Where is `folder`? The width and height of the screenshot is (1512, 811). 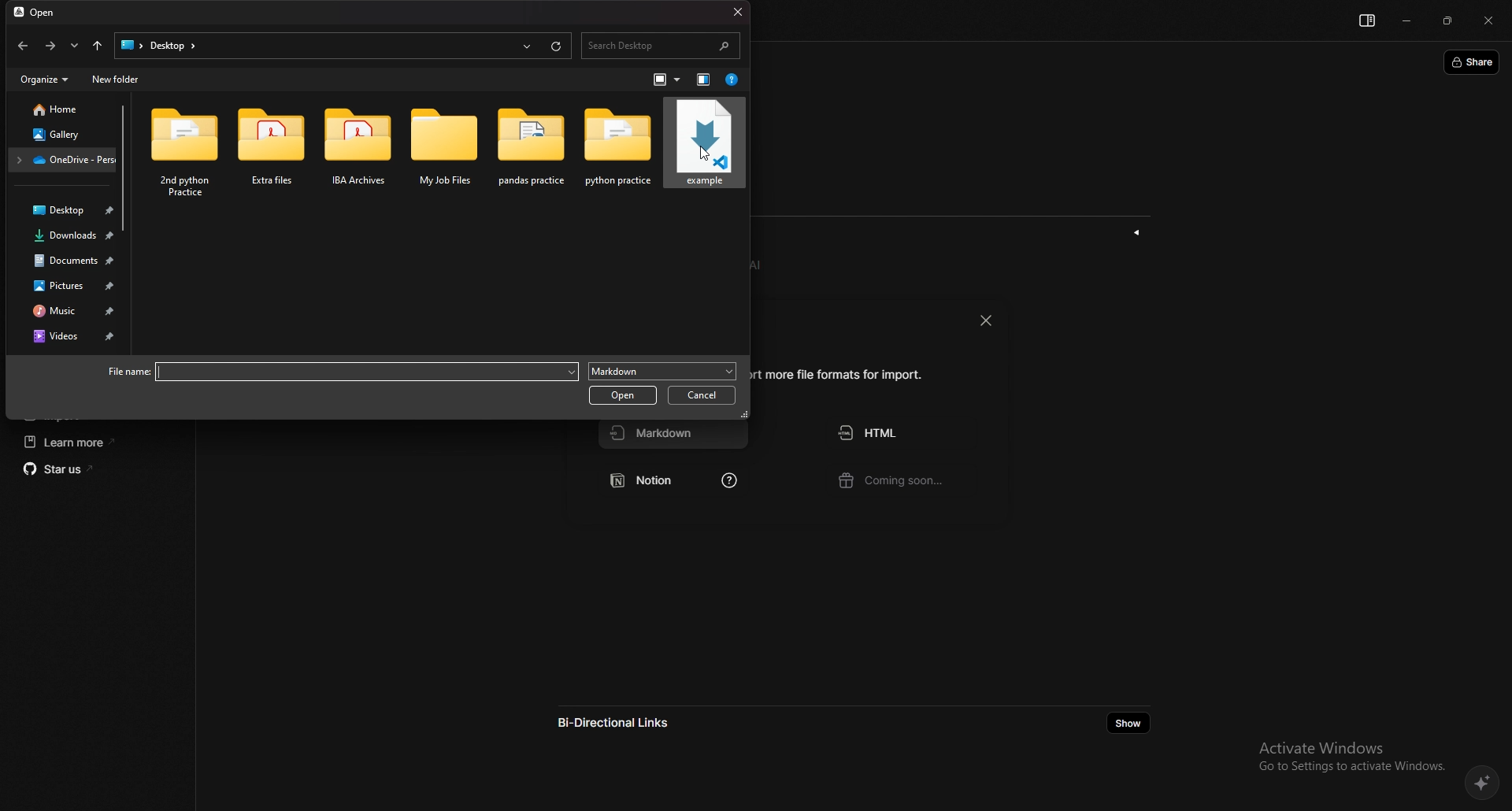
folder is located at coordinates (532, 154).